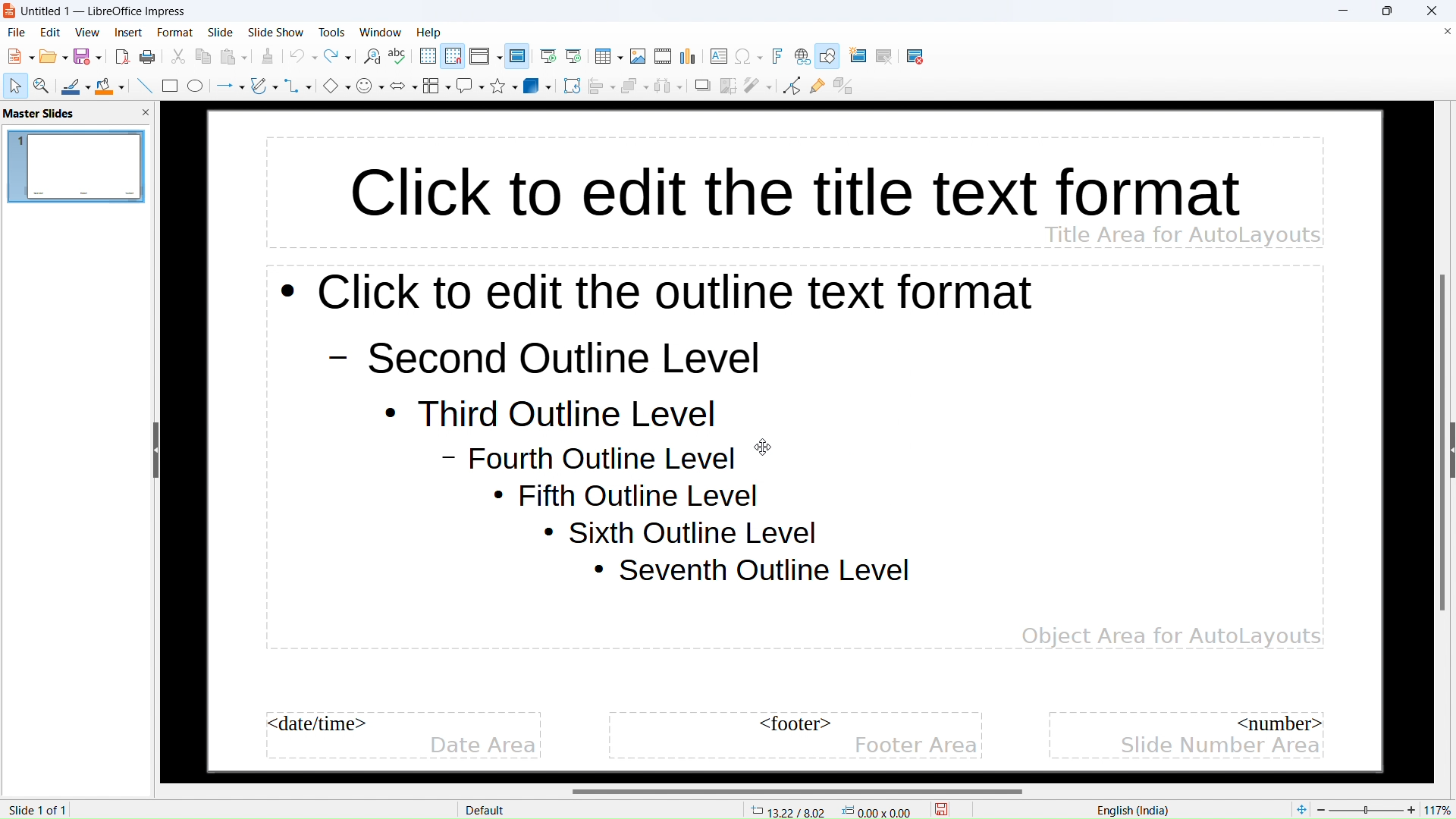 The image size is (1456, 819). What do you see at coordinates (720, 56) in the screenshot?
I see `insert textbox` at bounding box center [720, 56].